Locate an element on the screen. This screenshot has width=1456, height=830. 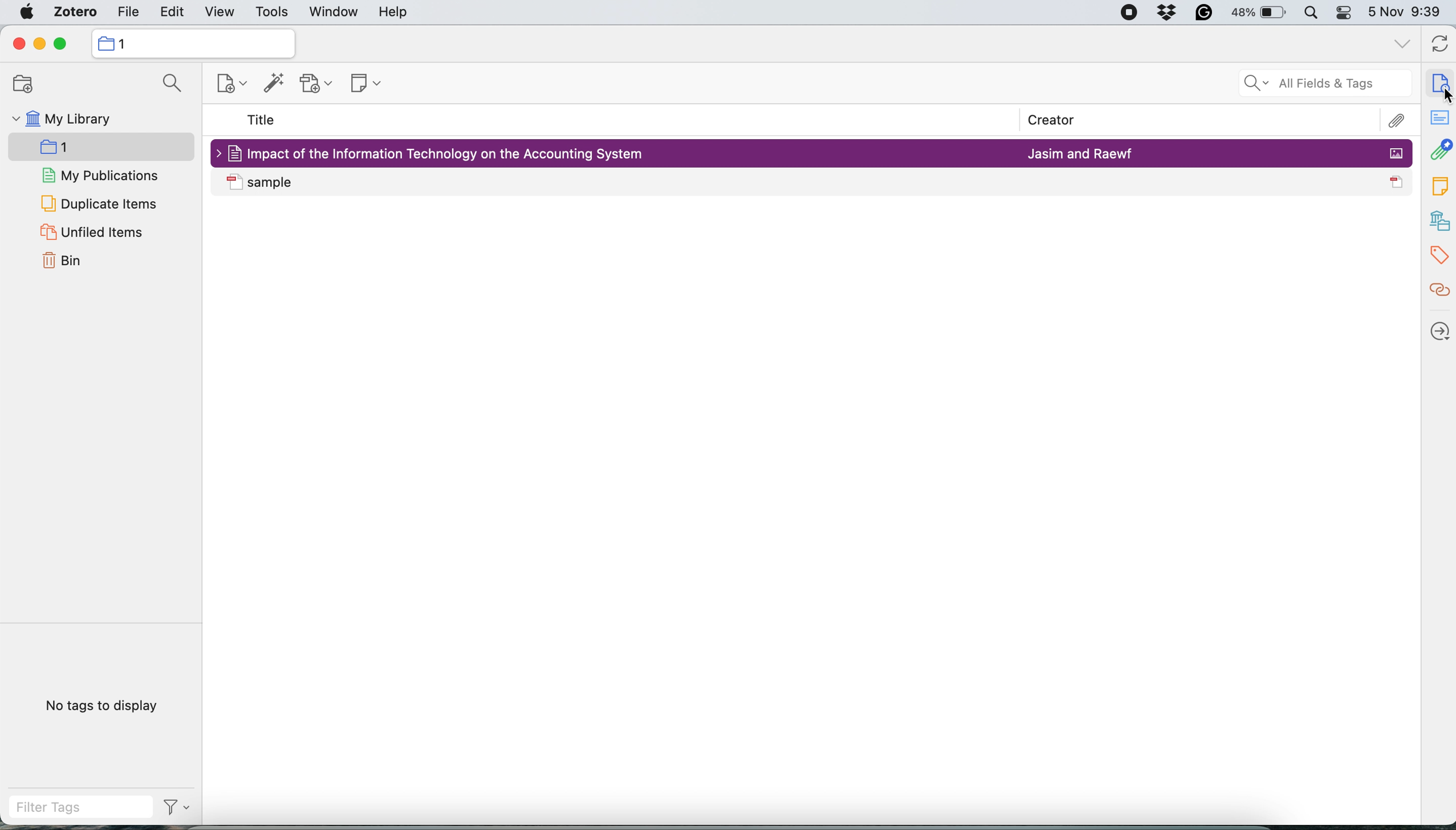
Jasim and Raewf is located at coordinates (1080, 154).